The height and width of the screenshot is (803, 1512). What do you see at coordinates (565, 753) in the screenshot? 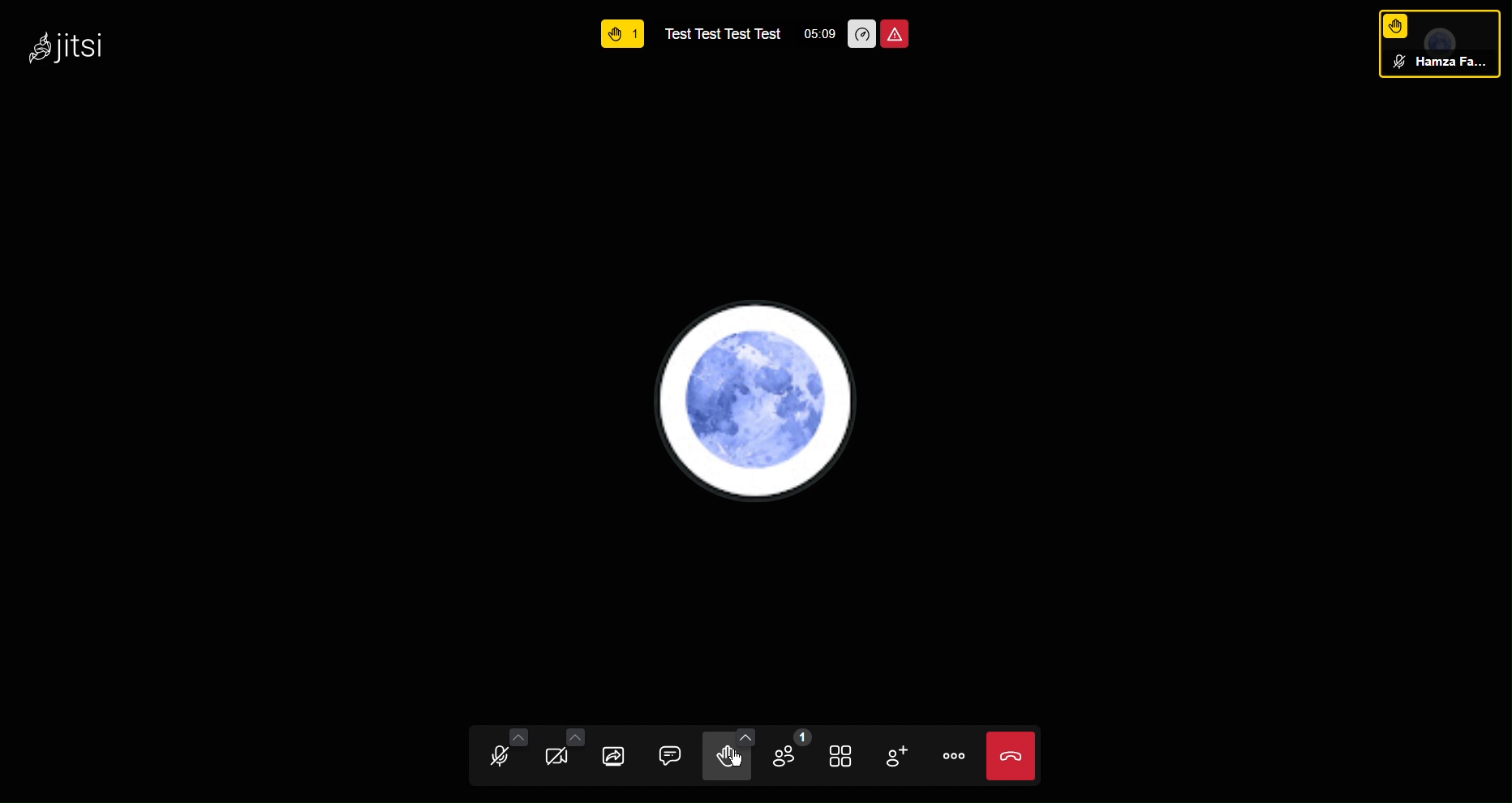
I see `Video` at bounding box center [565, 753].